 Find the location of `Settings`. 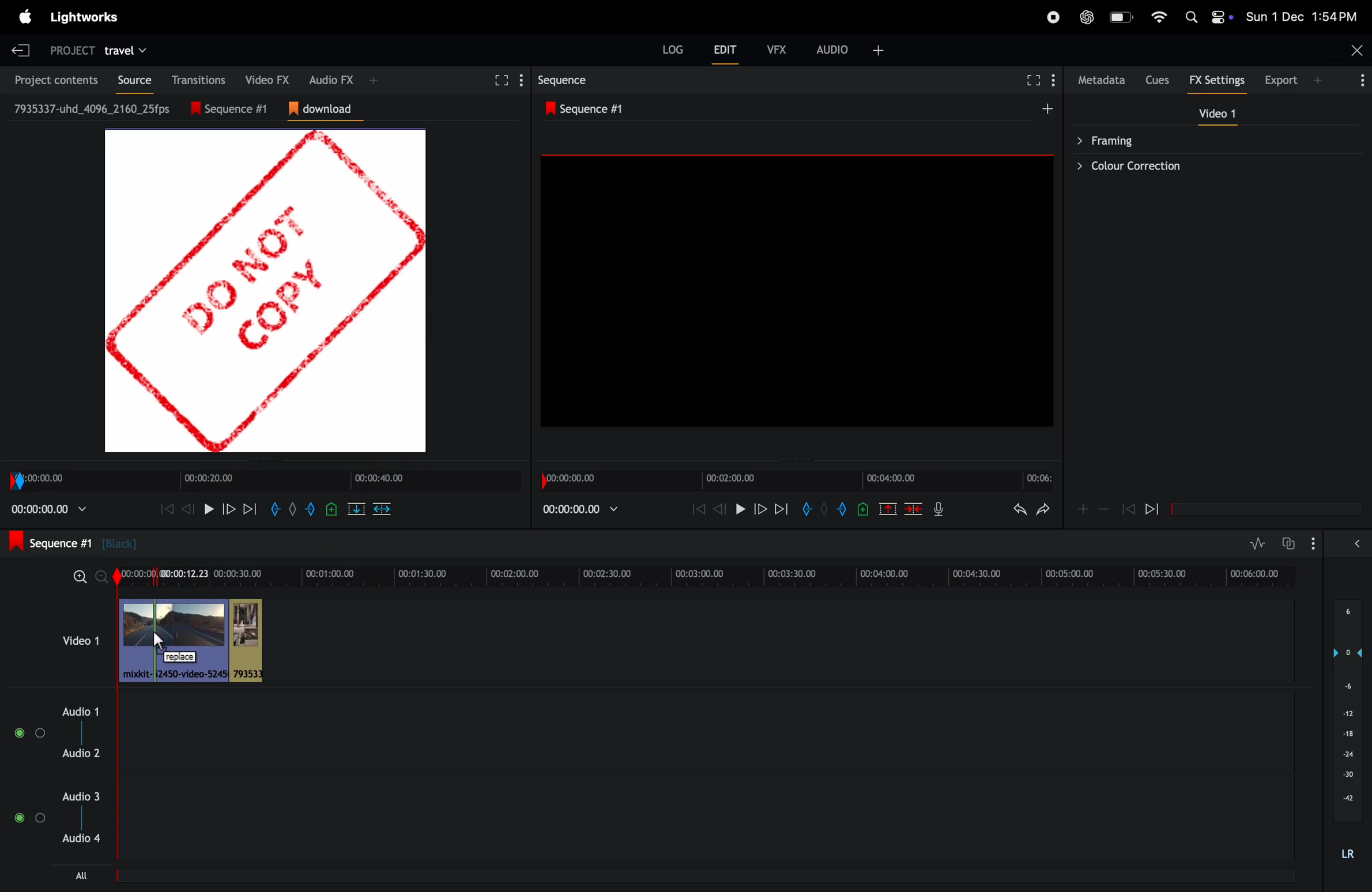

Settings is located at coordinates (522, 80).